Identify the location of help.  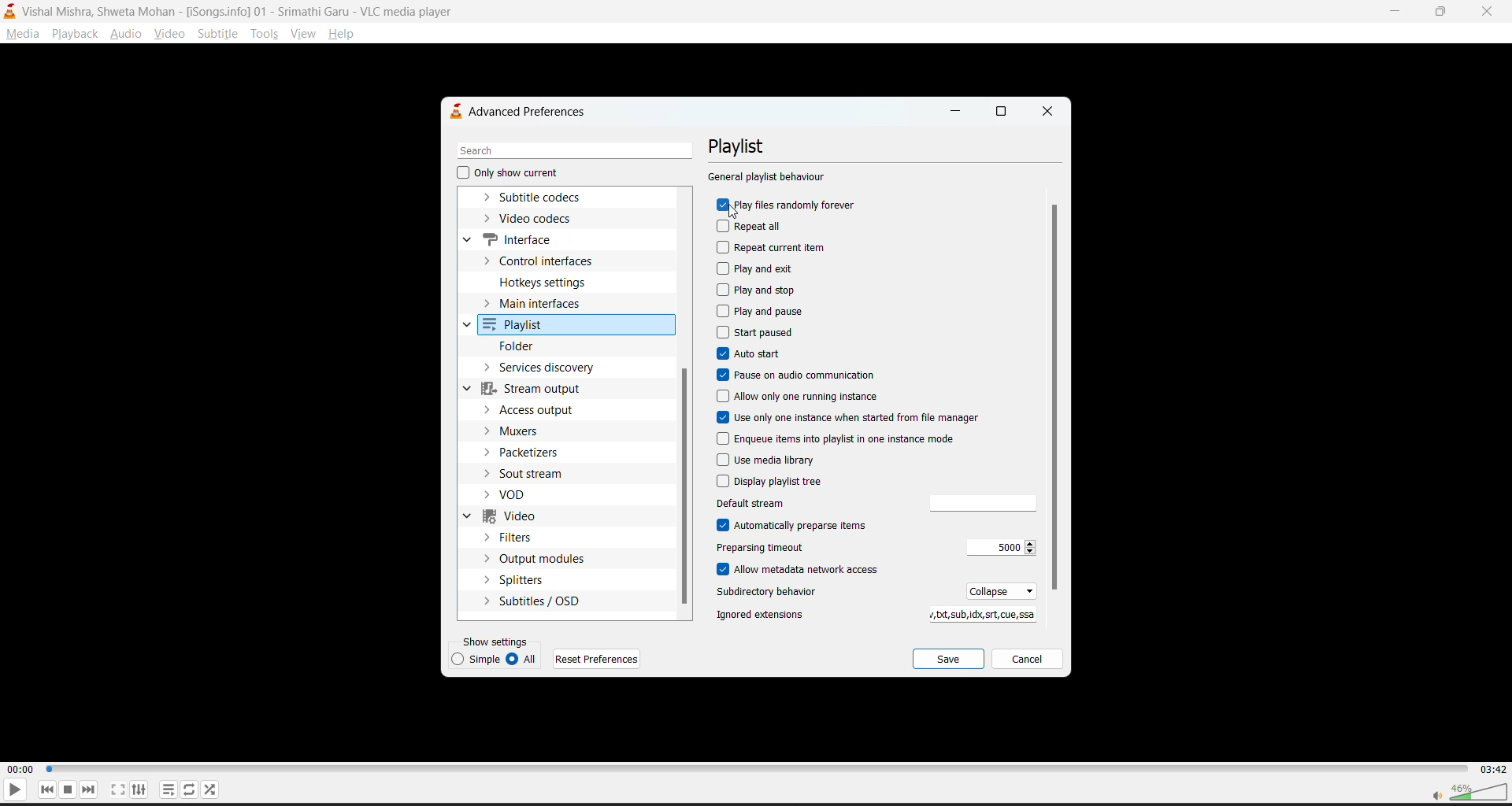
(346, 34).